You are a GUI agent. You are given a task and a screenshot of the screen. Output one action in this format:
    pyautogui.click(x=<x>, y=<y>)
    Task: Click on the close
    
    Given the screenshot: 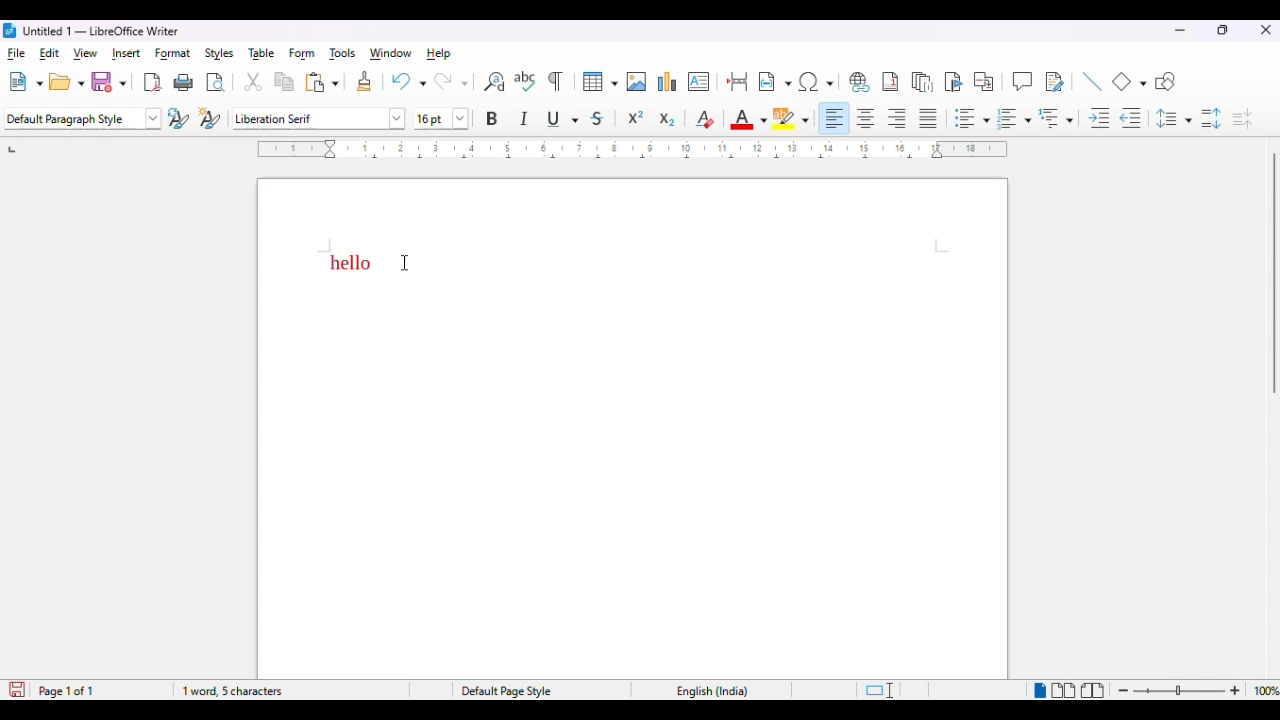 What is the action you would take?
    pyautogui.click(x=1266, y=31)
    